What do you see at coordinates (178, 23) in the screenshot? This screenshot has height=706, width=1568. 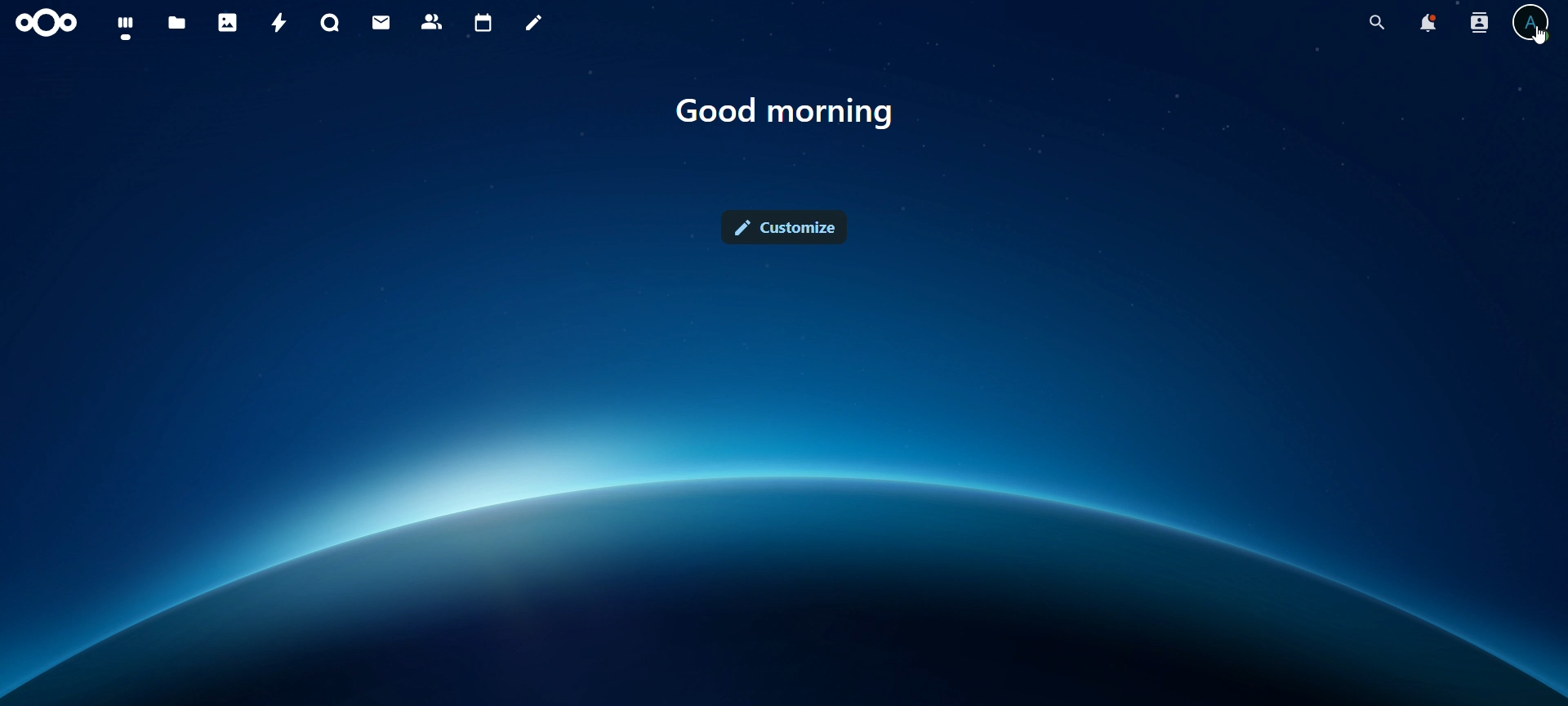 I see `files` at bounding box center [178, 23].